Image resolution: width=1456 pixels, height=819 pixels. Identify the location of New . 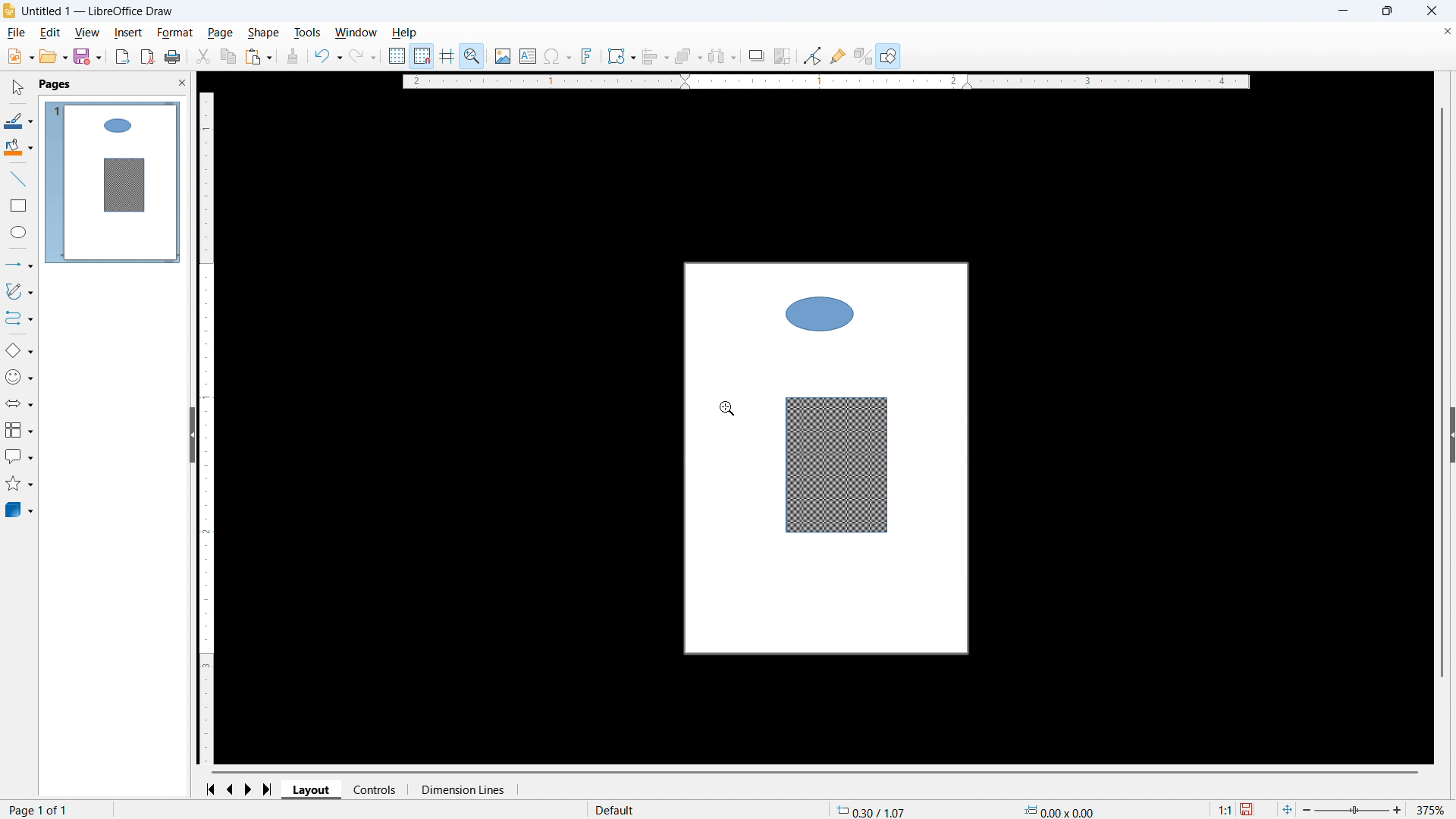
(19, 57).